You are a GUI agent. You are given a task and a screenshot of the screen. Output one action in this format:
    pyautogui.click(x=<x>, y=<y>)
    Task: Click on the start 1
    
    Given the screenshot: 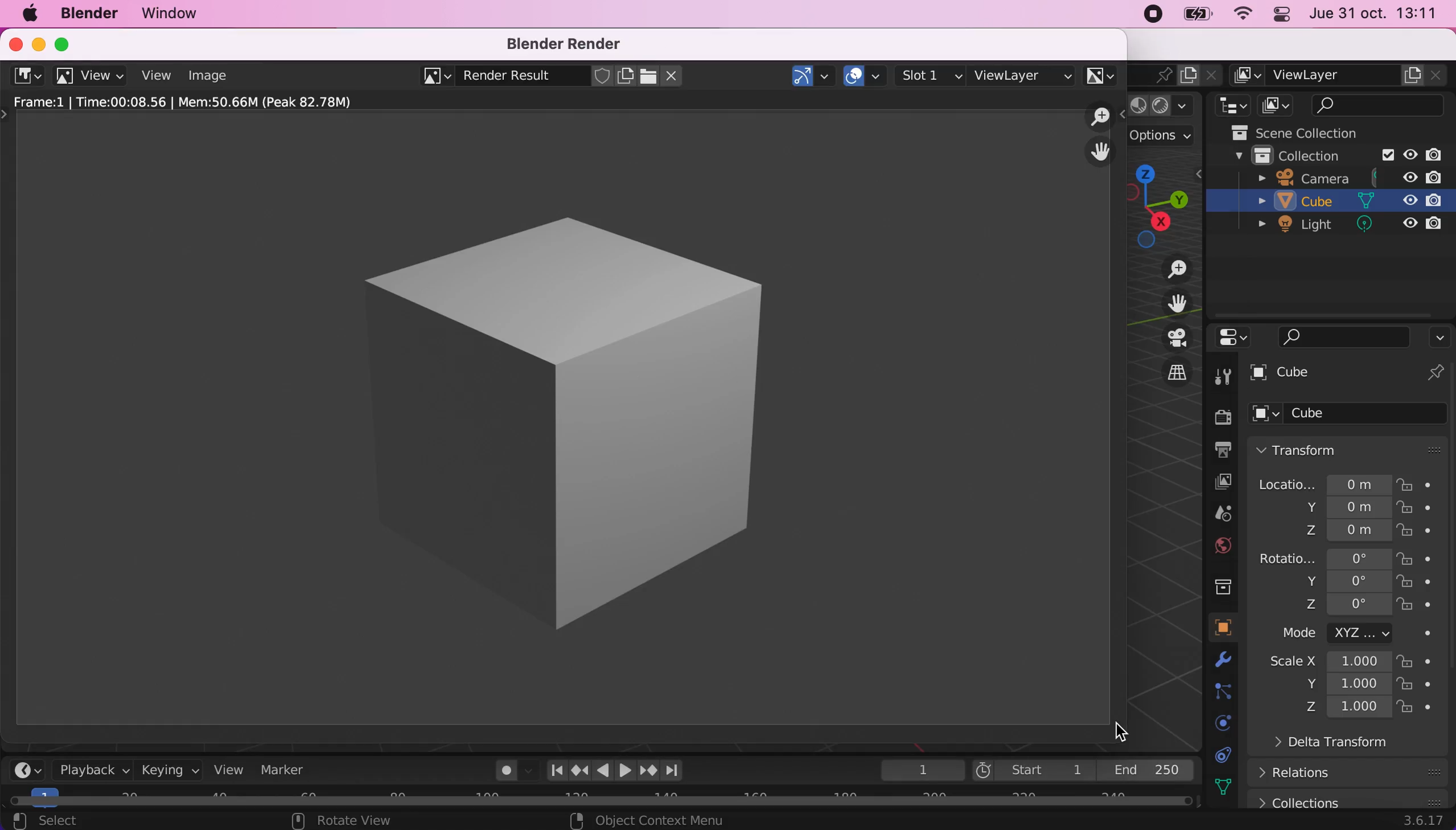 What is the action you would take?
    pyautogui.click(x=1033, y=770)
    